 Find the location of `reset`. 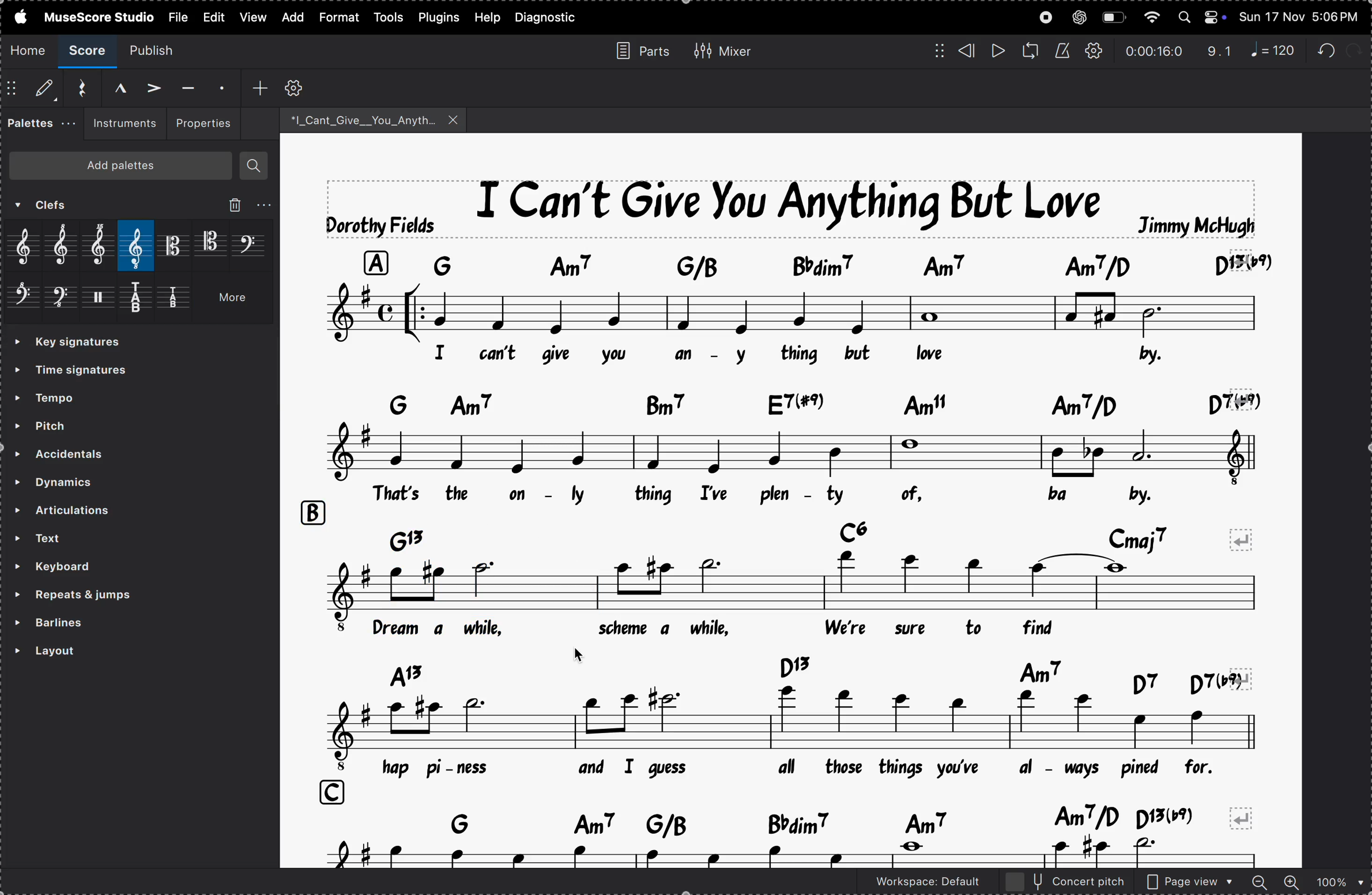

reset is located at coordinates (77, 88).